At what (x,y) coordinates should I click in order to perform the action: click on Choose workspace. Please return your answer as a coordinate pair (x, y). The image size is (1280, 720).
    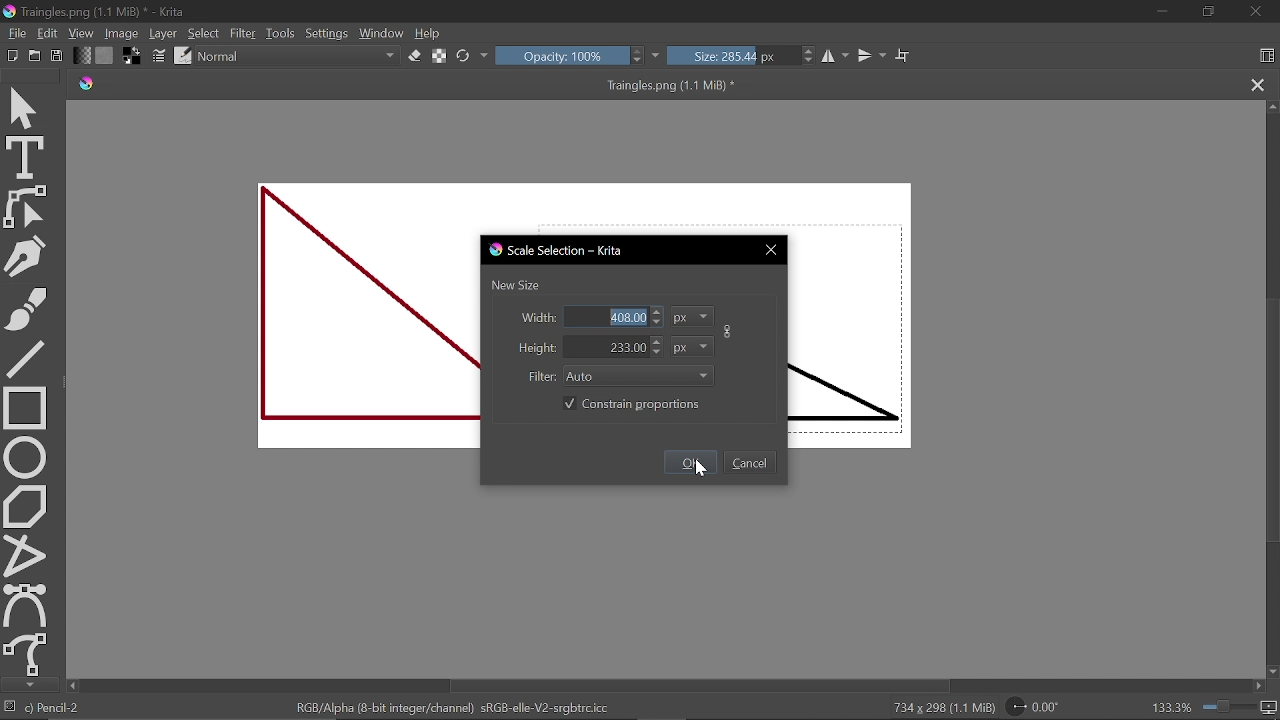
    Looking at the image, I should click on (1266, 55).